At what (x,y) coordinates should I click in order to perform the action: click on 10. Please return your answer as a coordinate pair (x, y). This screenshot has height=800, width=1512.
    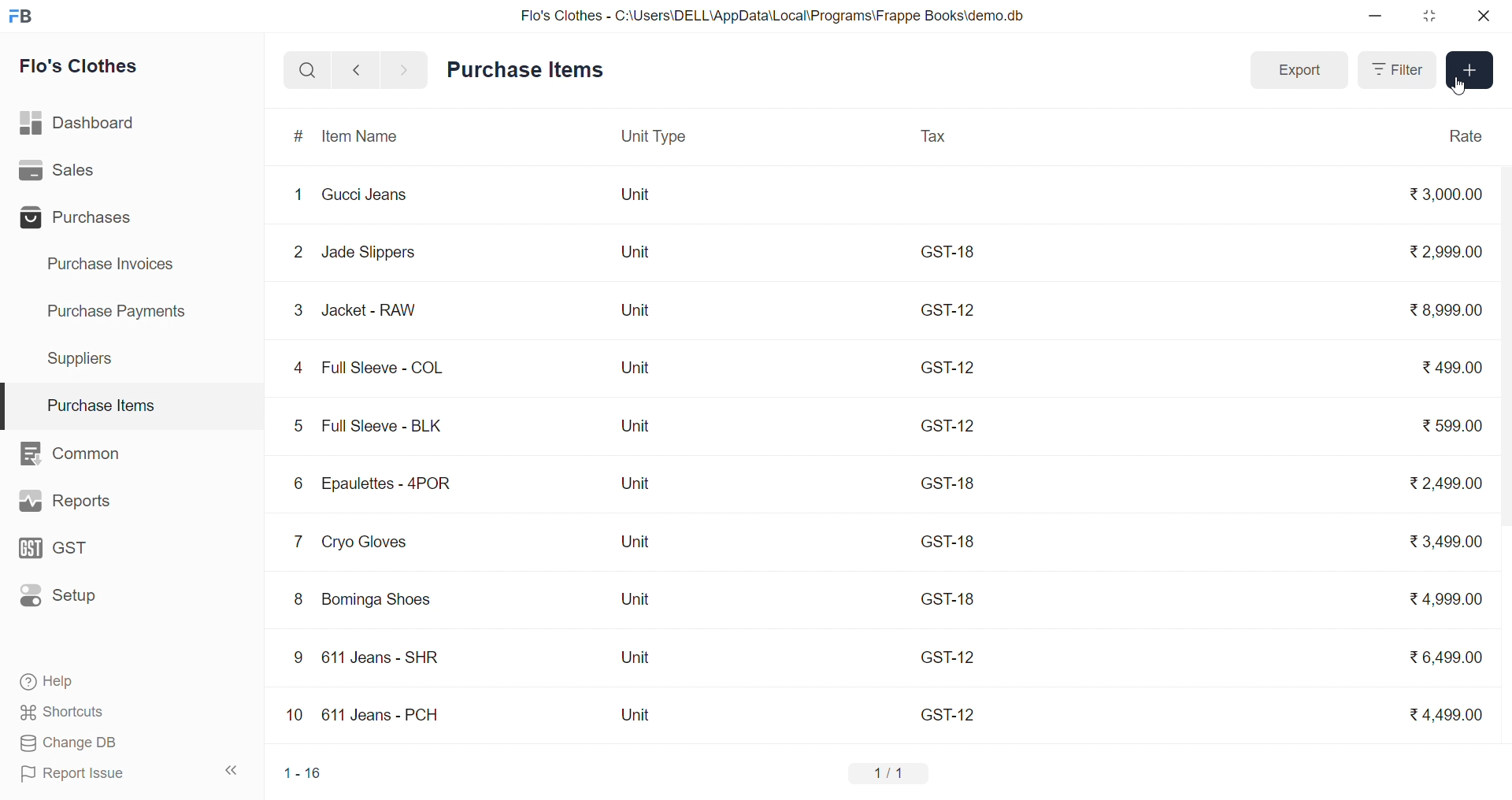
    Looking at the image, I should click on (294, 713).